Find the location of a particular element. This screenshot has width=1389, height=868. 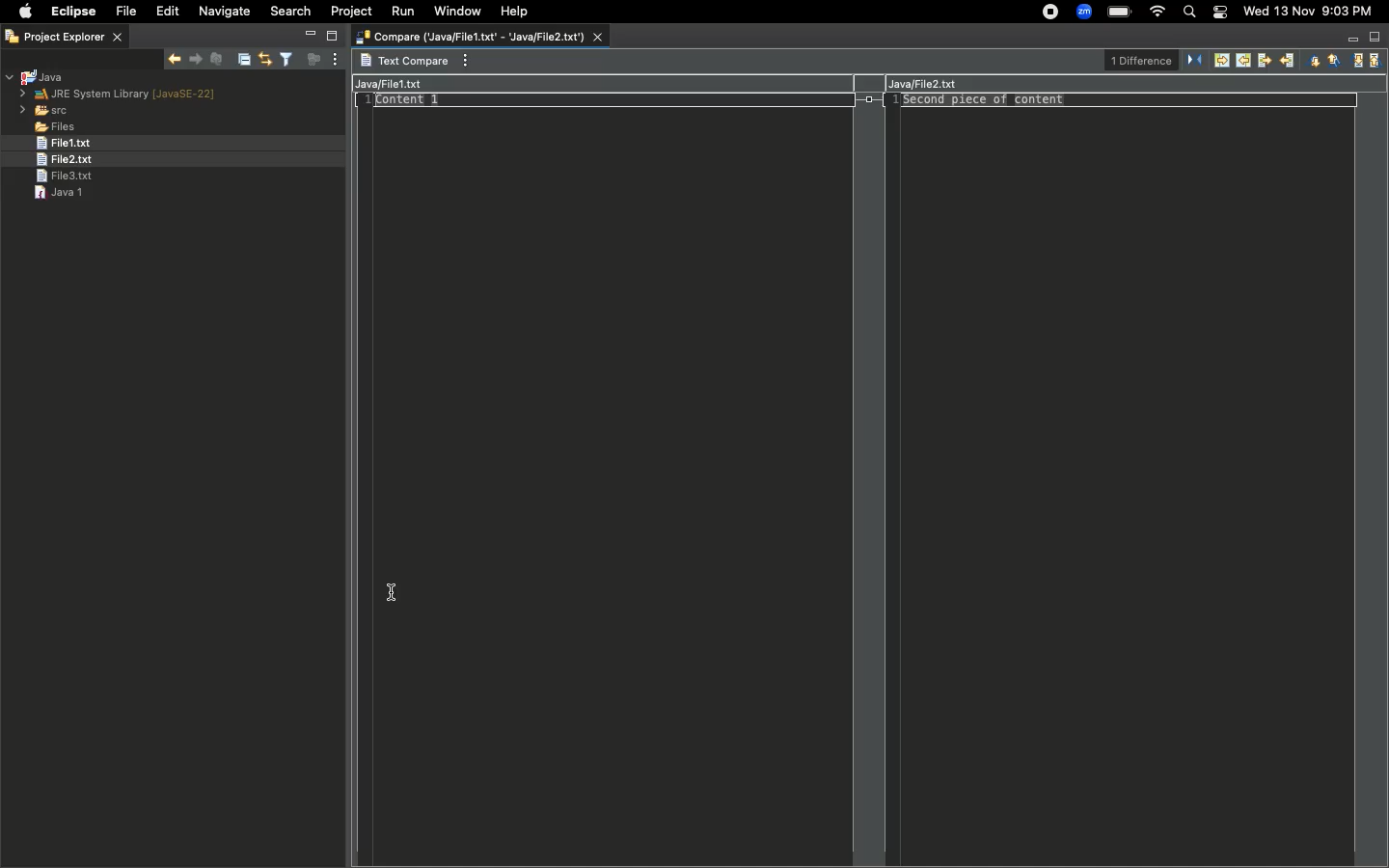

File1.txt is located at coordinates (68, 143).